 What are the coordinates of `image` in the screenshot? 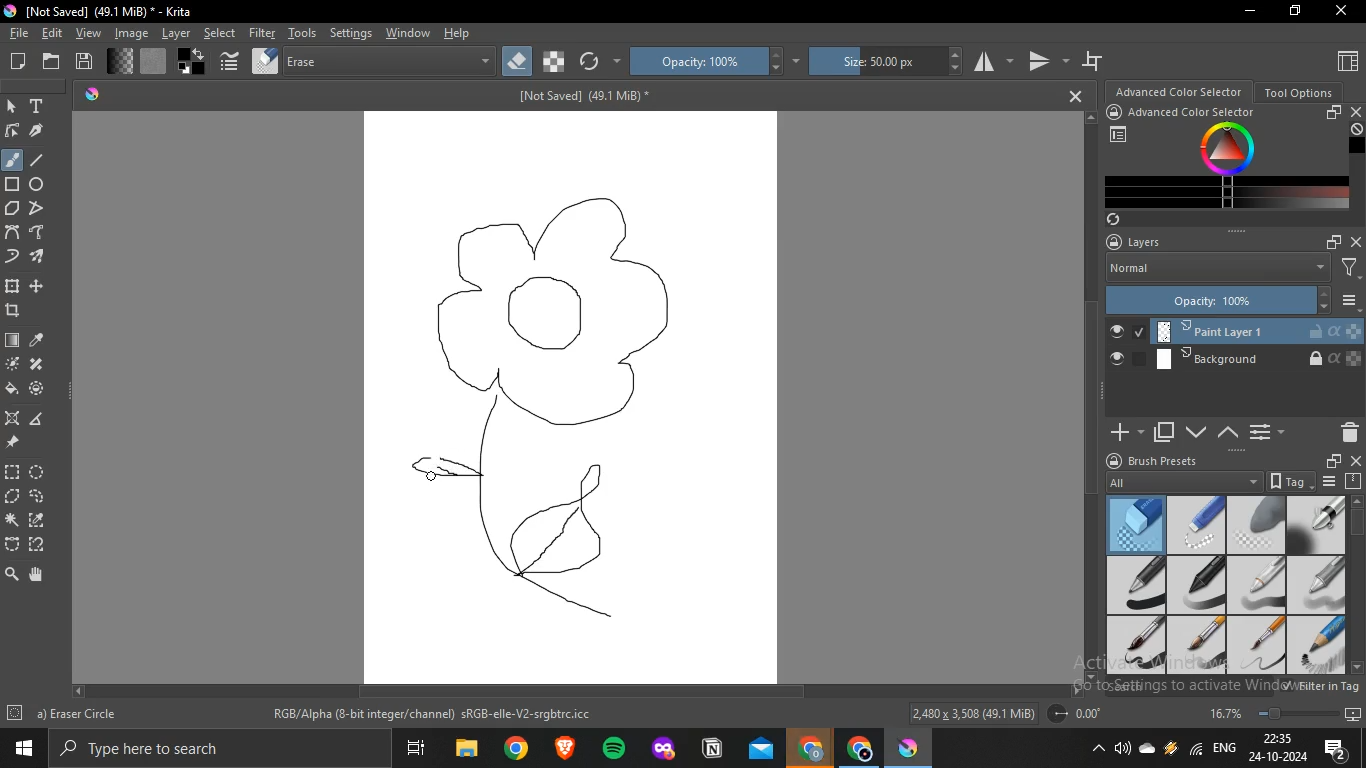 It's located at (129, 32).